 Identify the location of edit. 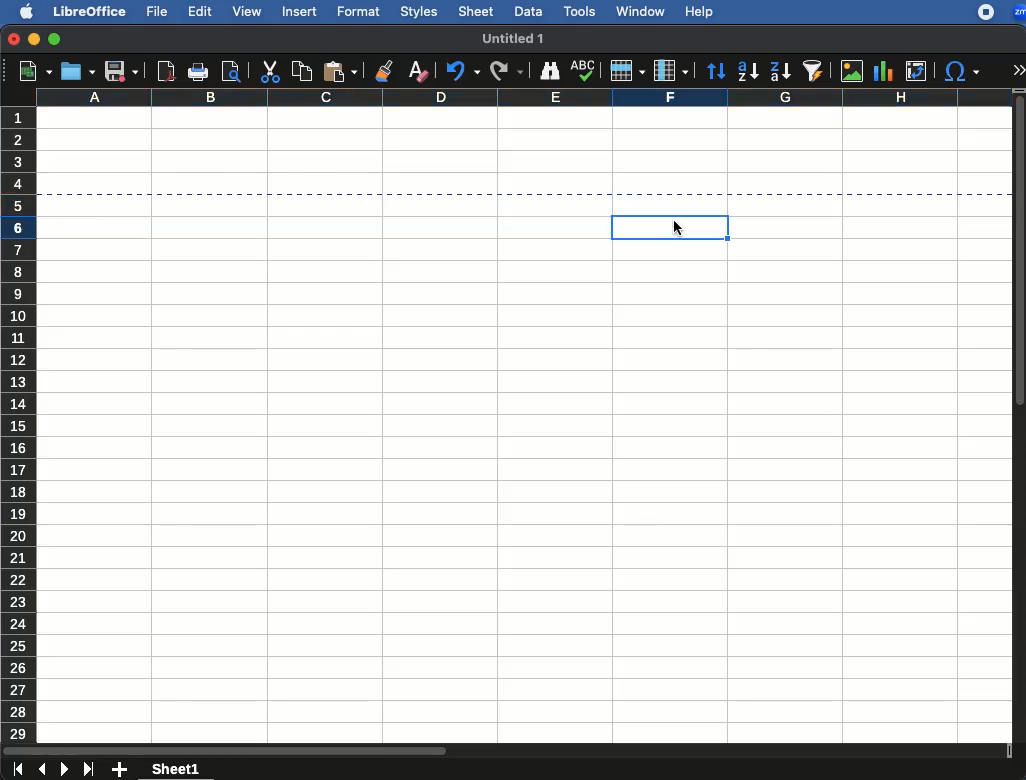
(199, 12).